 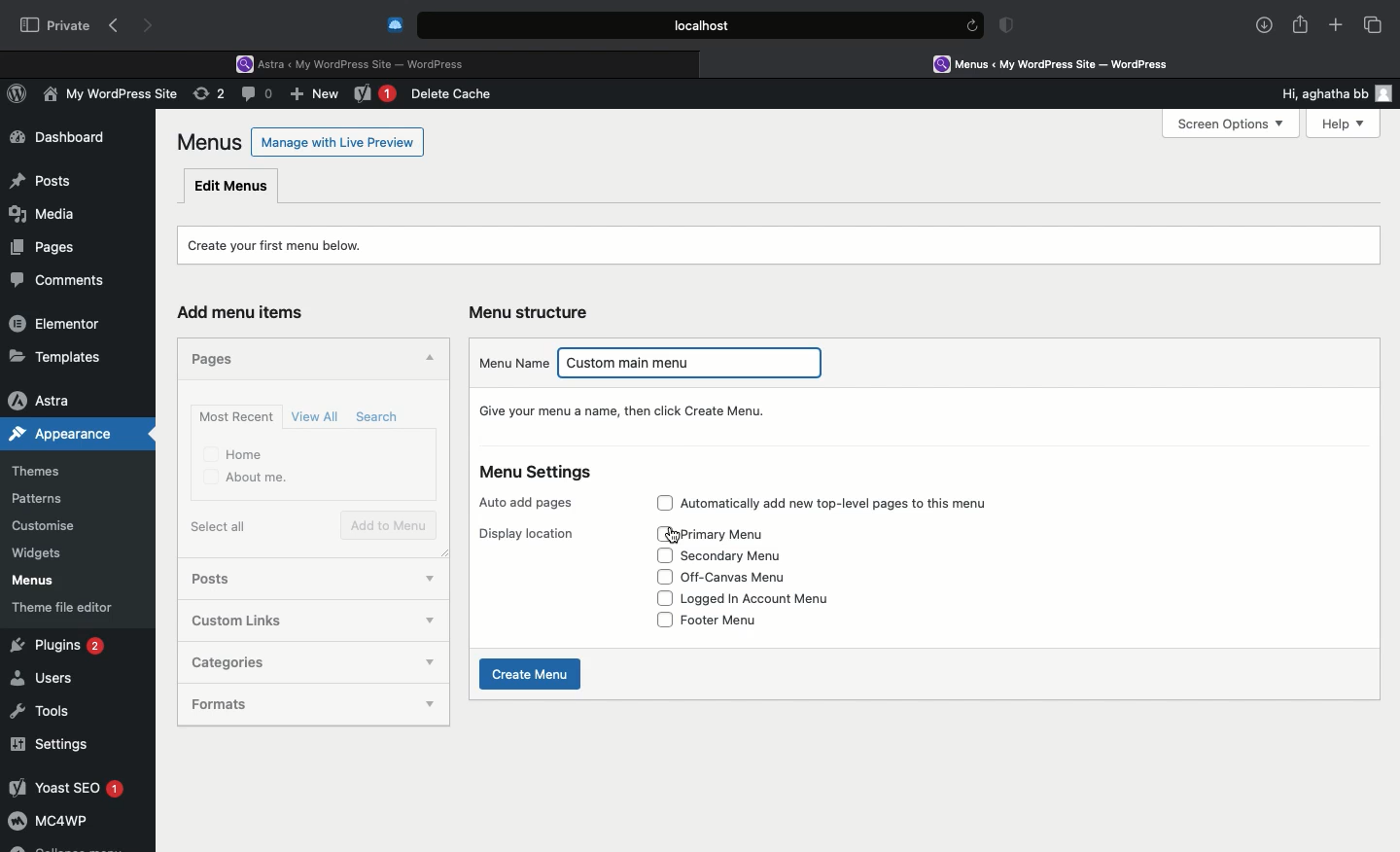 I want to click on Home, so click(x=235, y=453).